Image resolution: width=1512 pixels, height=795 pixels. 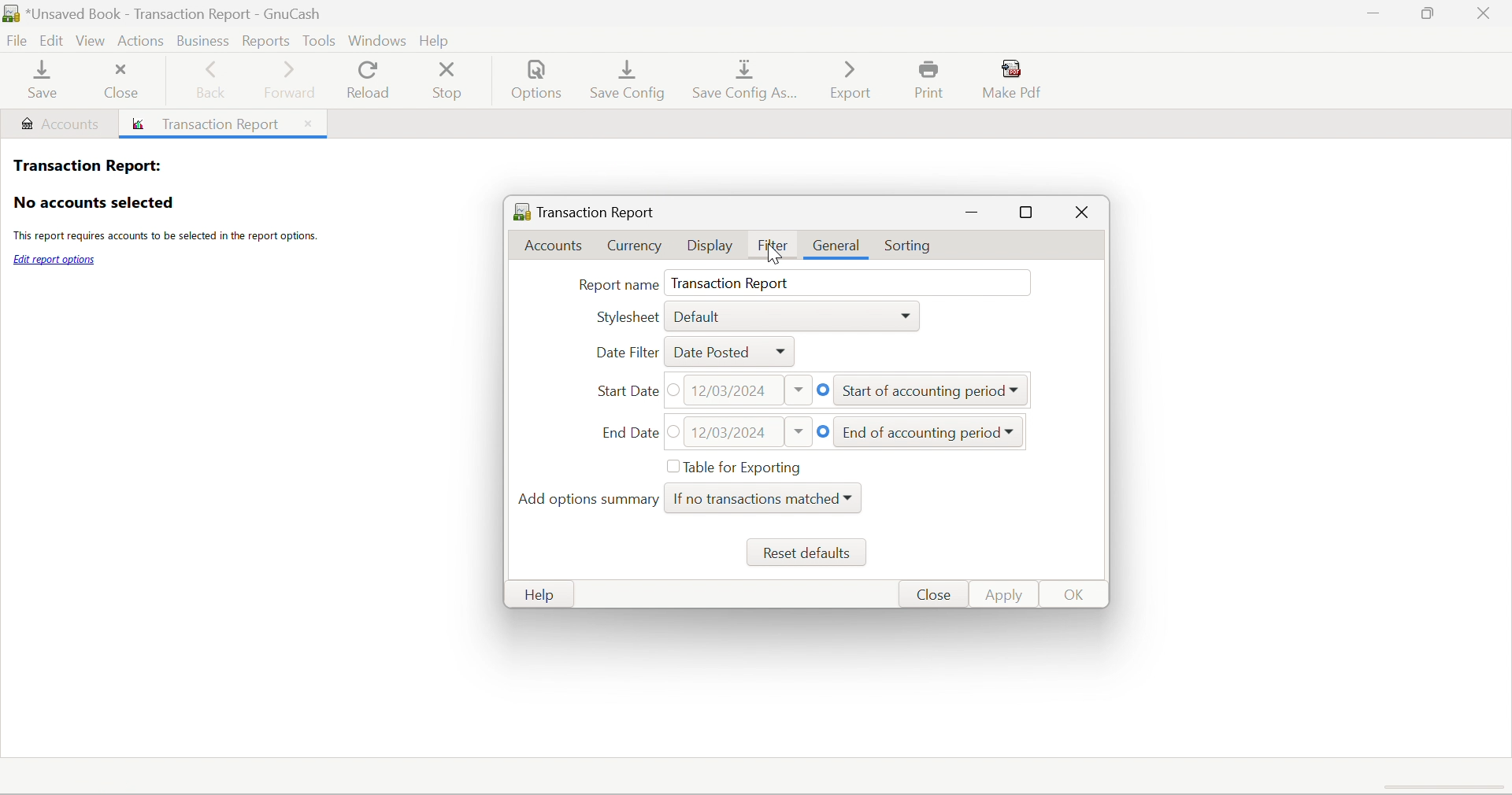 What do you see at coordinates (922, 393) in the screenshot?
I see `Start of accounting period` at bounding box center [922, 393].